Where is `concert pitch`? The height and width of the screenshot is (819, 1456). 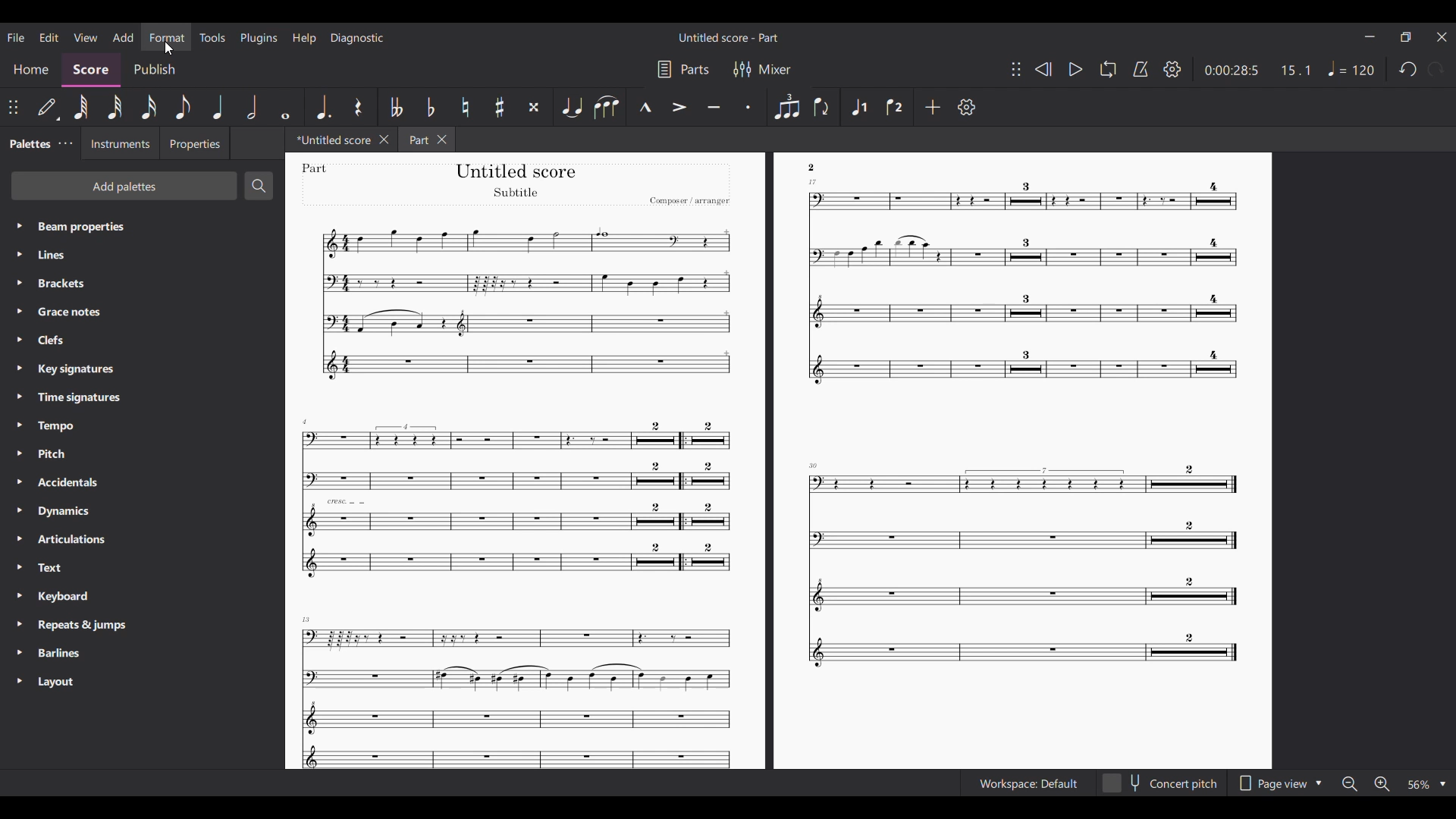 concert pitch is located at coordinates (1160, 785).